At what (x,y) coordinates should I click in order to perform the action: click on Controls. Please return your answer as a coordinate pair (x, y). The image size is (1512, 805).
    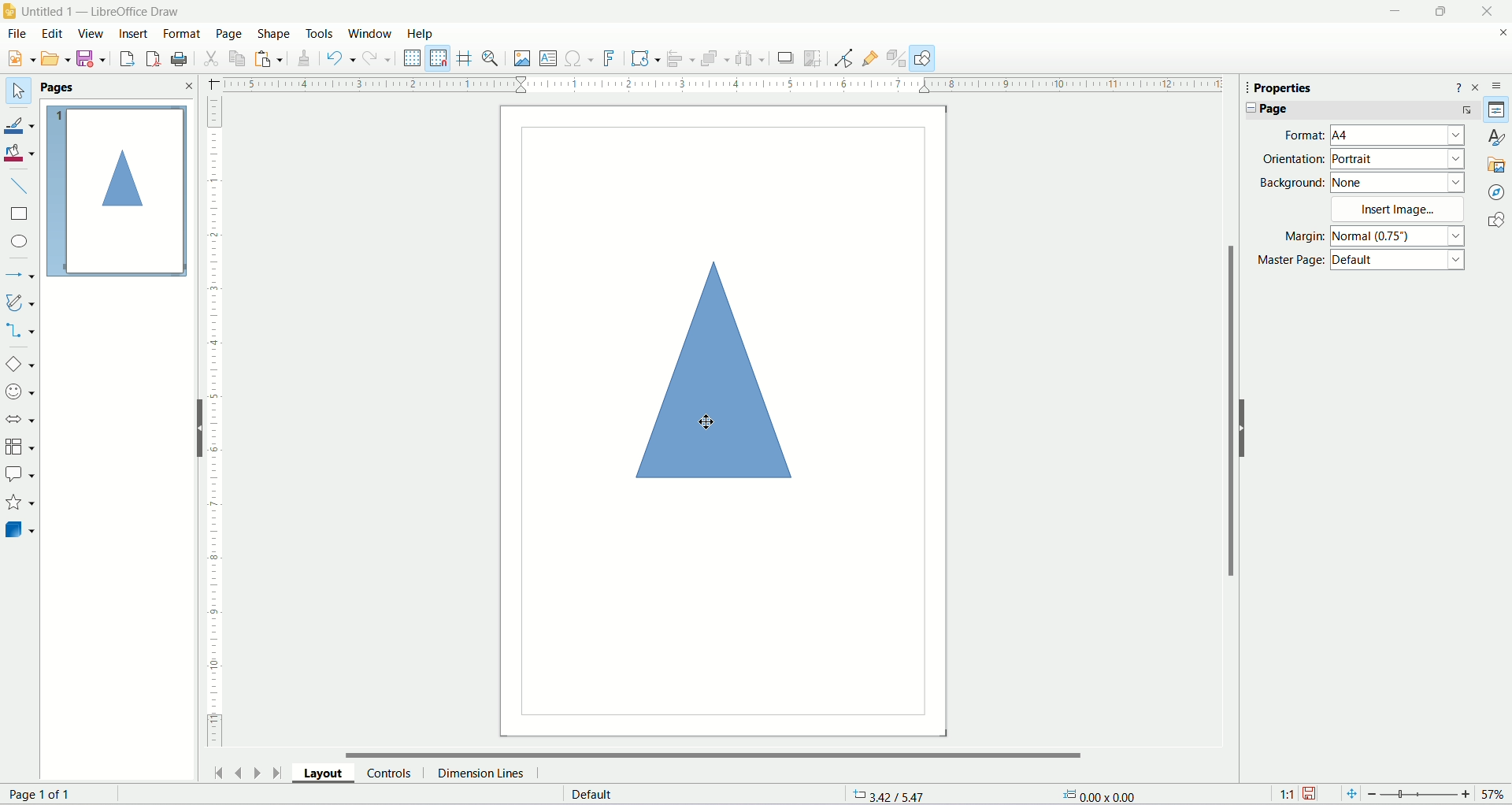
    Looking at the image, I should click on (388, 775).